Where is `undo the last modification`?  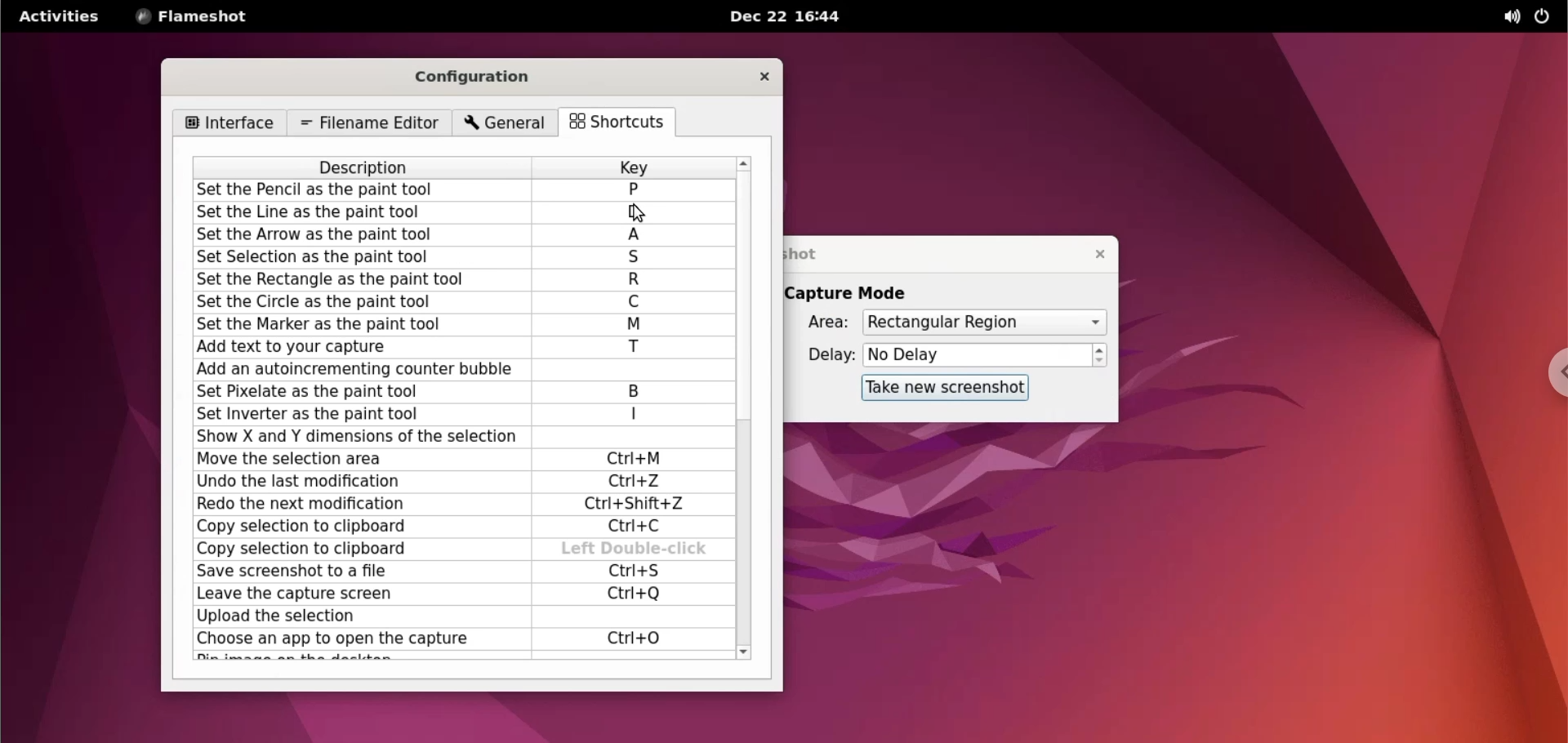 undo the last modification is located at coordinates (354, 482).